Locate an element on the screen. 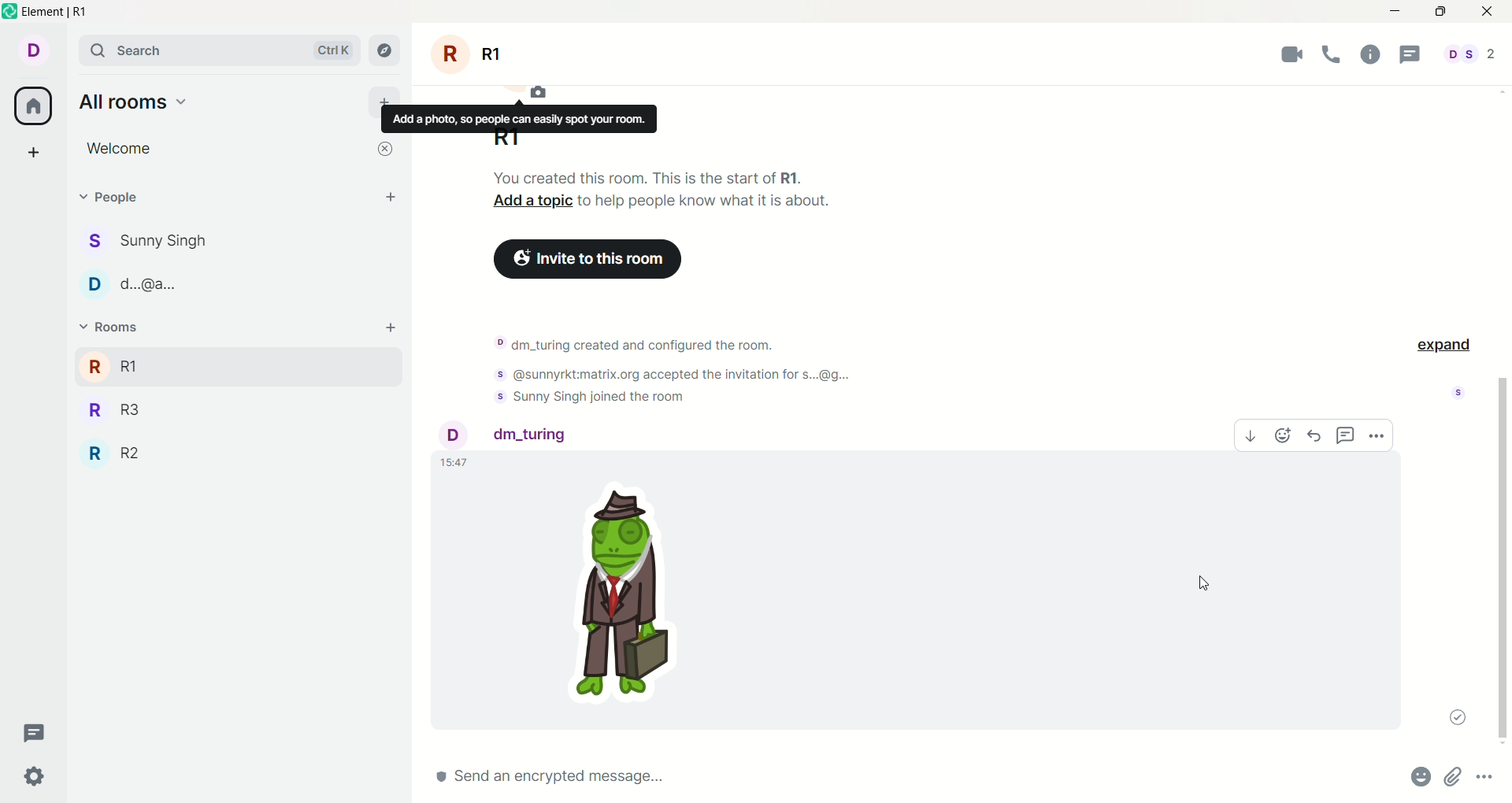 The width and height of the screenshot is (1512, 803). Notification is located at coordinates (591, 396).